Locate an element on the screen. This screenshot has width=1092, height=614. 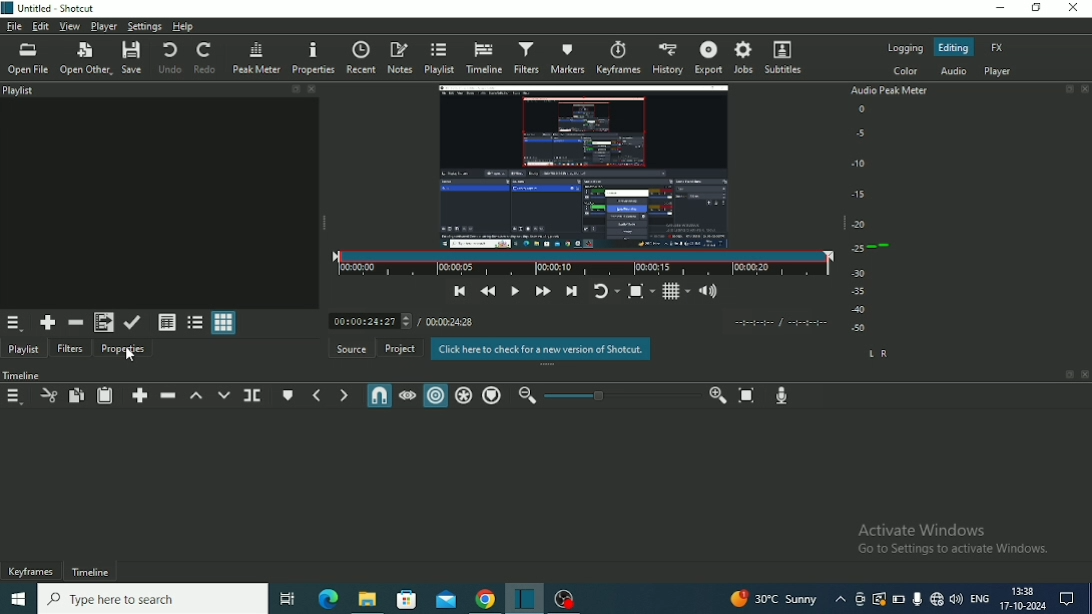
Task View is located at coordinates (289, 601).